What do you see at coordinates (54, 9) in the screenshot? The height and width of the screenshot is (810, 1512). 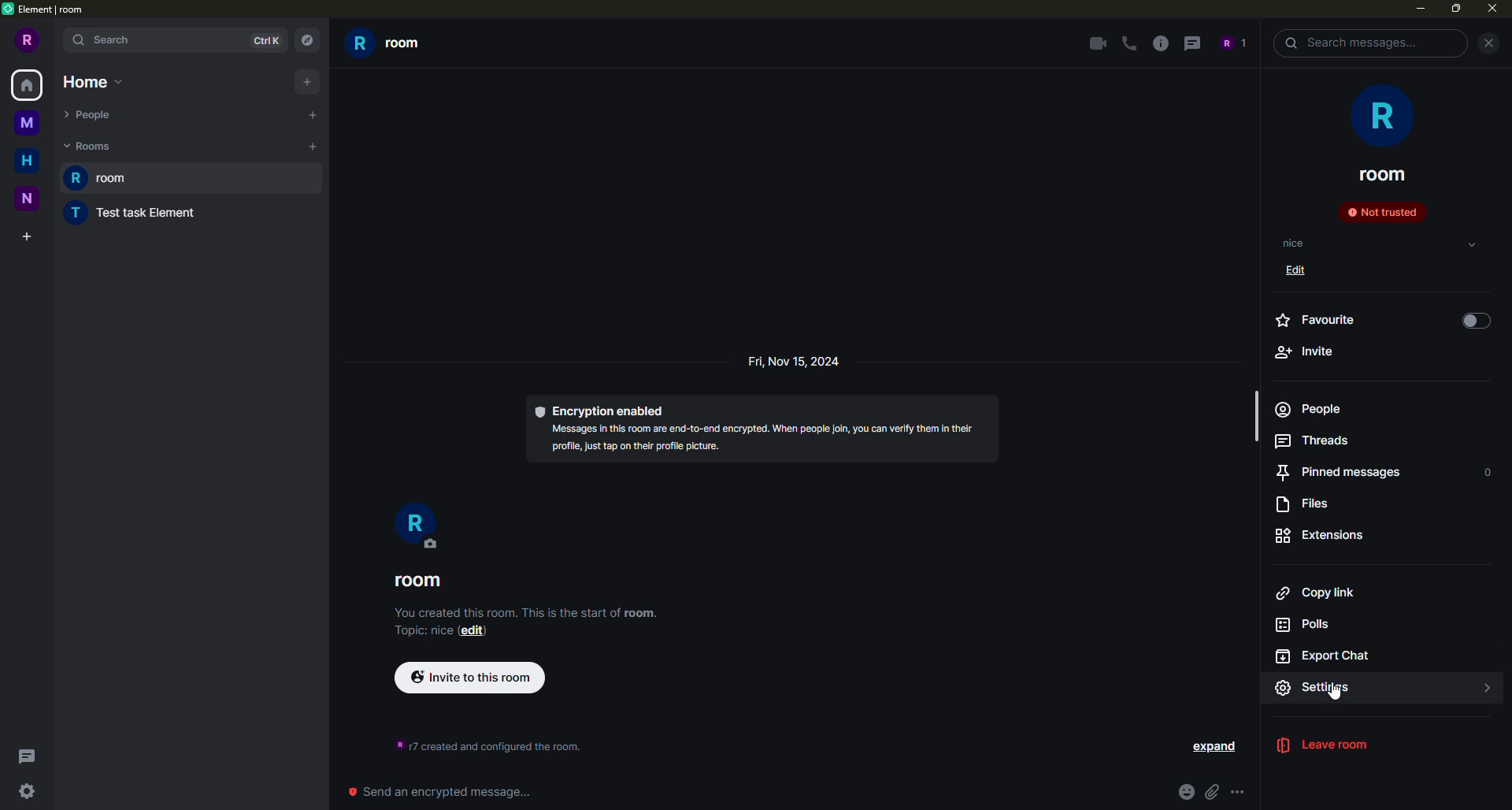 I see `element|room` at bounding box center [54, 9].